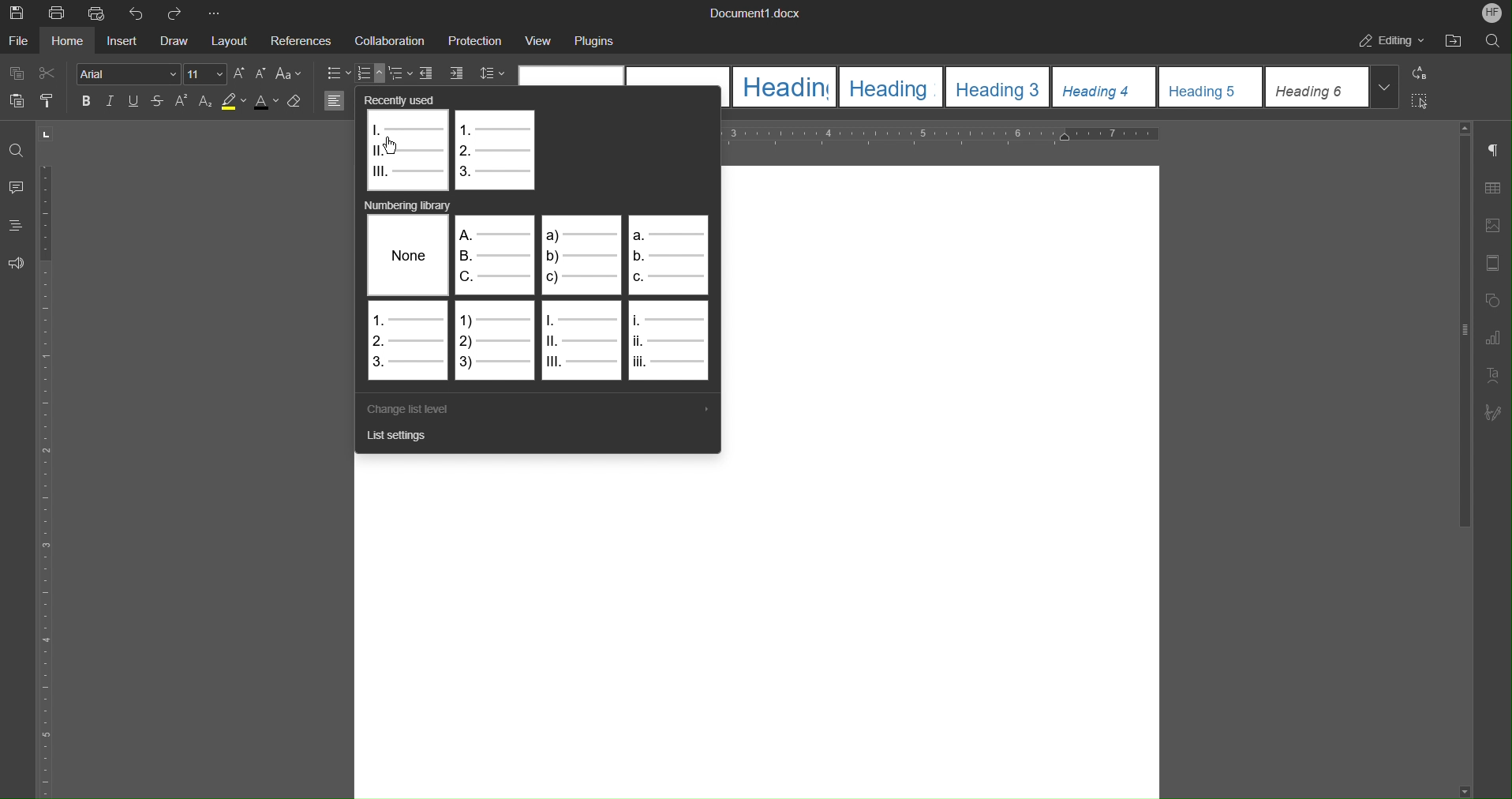 This screenshot has height=799, width=1512. What do you see at coordinates (672, 256) in the screenshot?
I see `Alphabet list 2` at bounding box center [672, 256].